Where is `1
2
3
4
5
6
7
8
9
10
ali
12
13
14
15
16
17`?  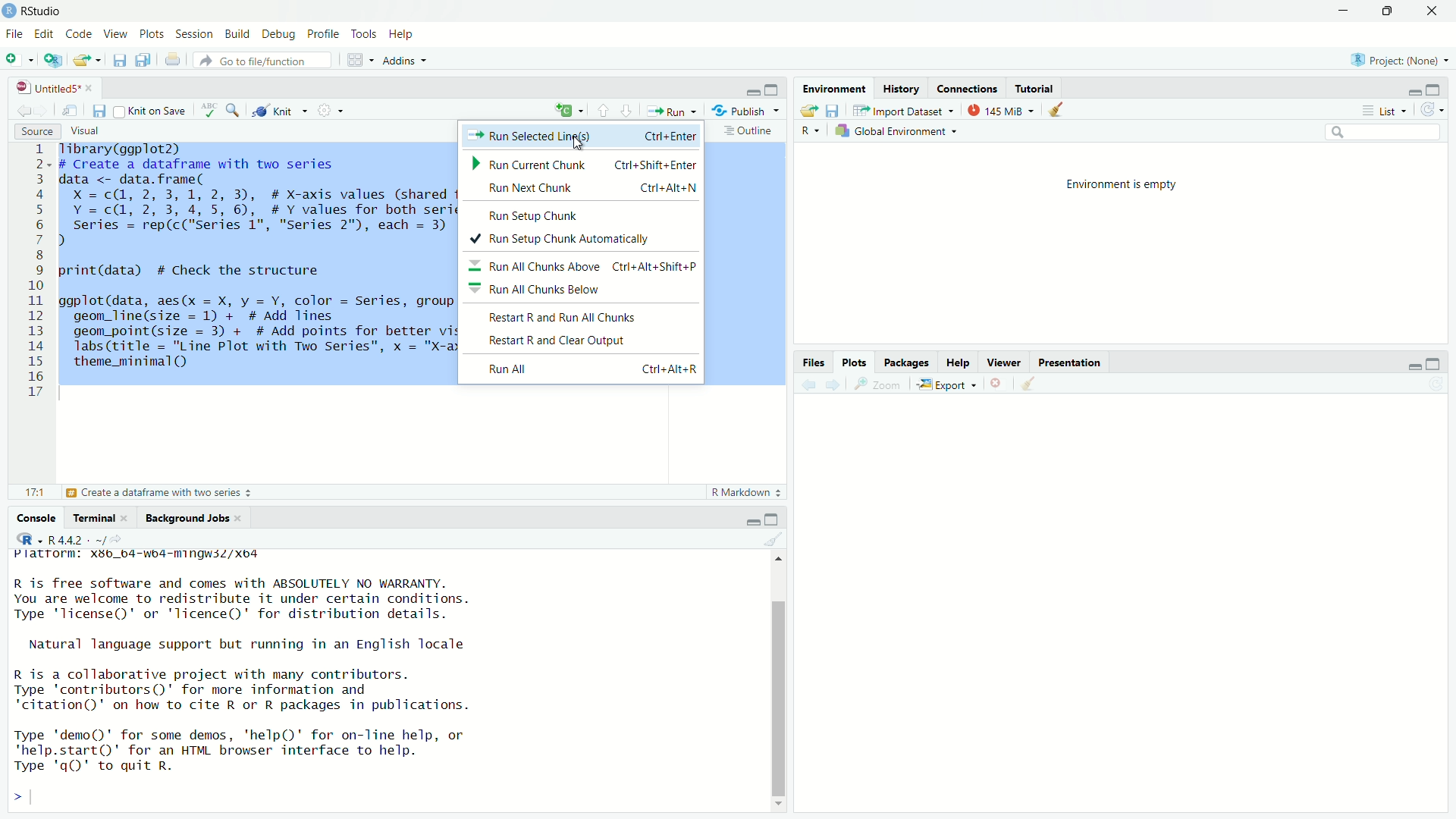
1
2
3
4
5
6
7
8
9
10
ali
12
13
14
15
16
17 is located at coordinates (38, 275).